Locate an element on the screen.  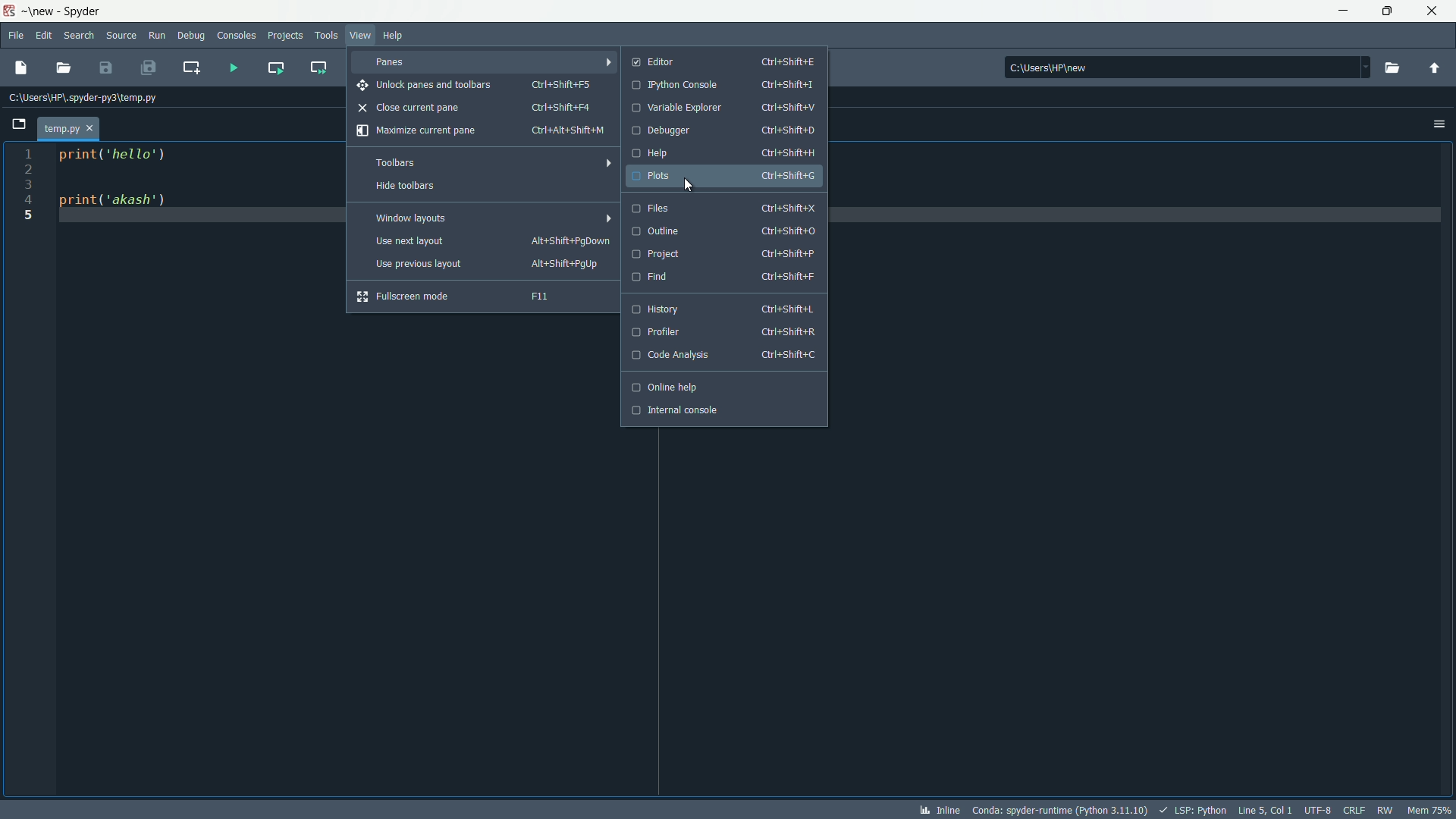
history is located at coordinates (722, 309).